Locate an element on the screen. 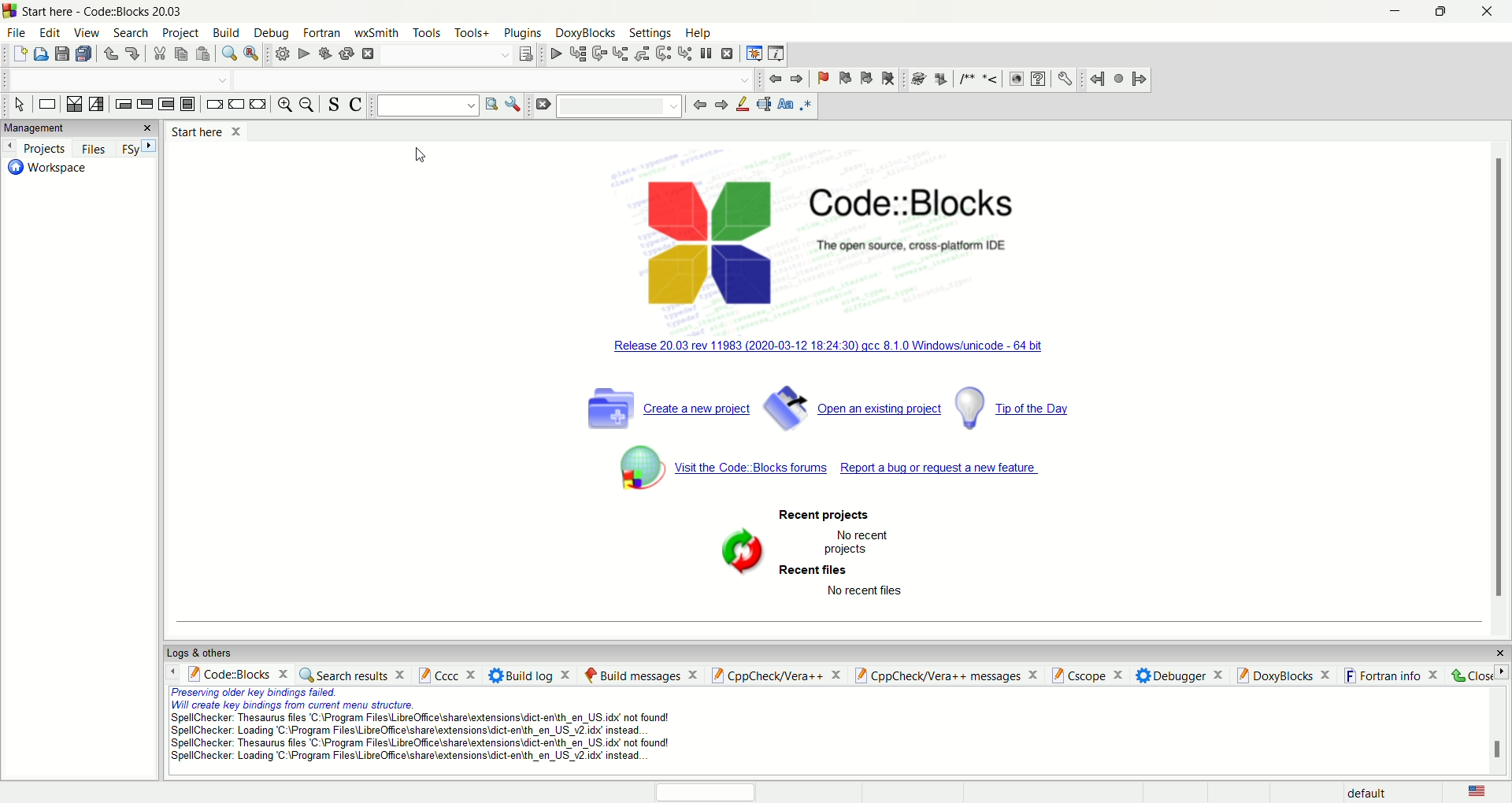 This screenshot has width=1512, height=803. save everything is located at coordinates (86, 54).